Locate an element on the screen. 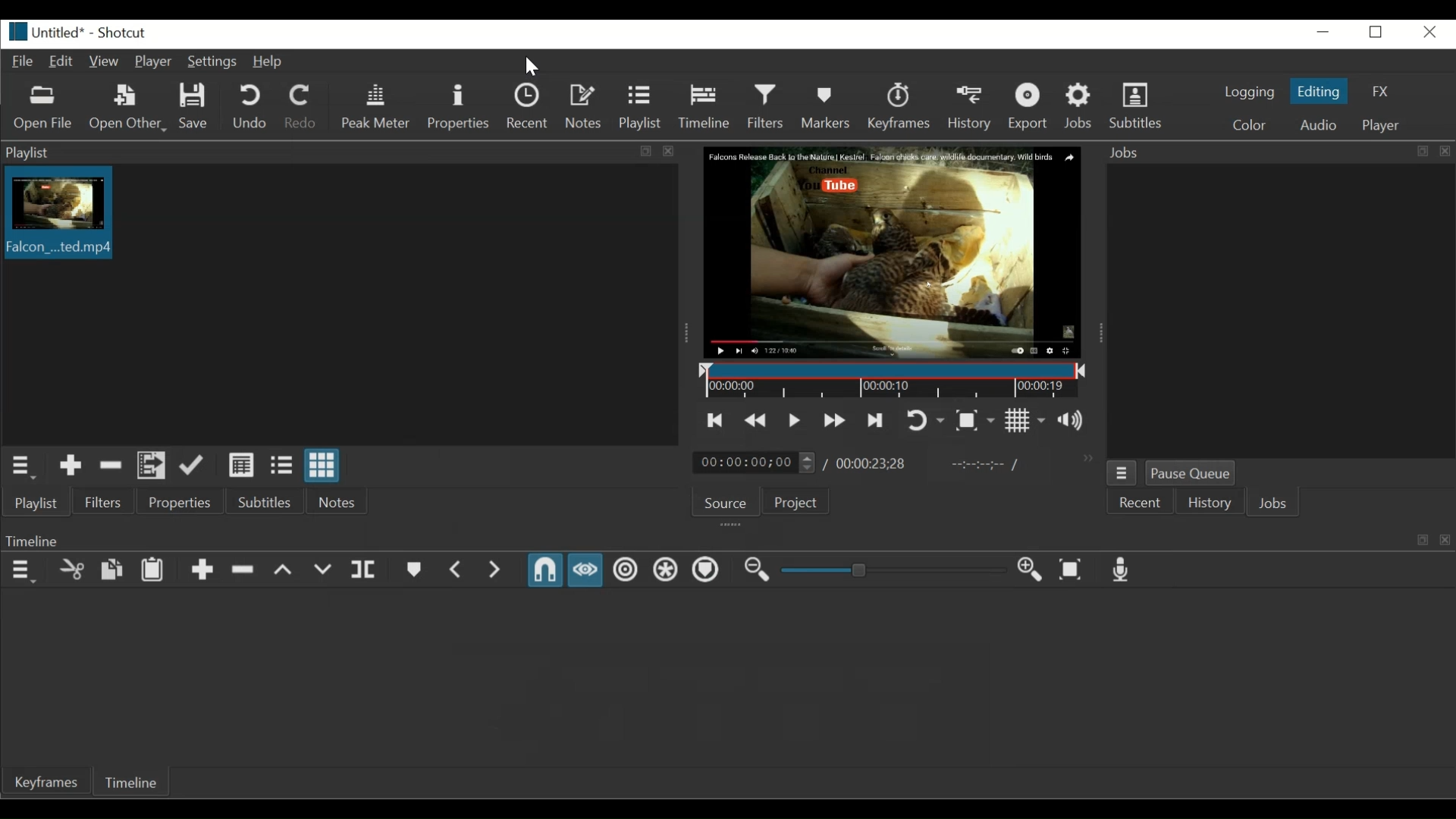 Image resolution: width=1456 pixels, height=819 pixels. Create/Edit Marker is located at coordinates (413, 570).